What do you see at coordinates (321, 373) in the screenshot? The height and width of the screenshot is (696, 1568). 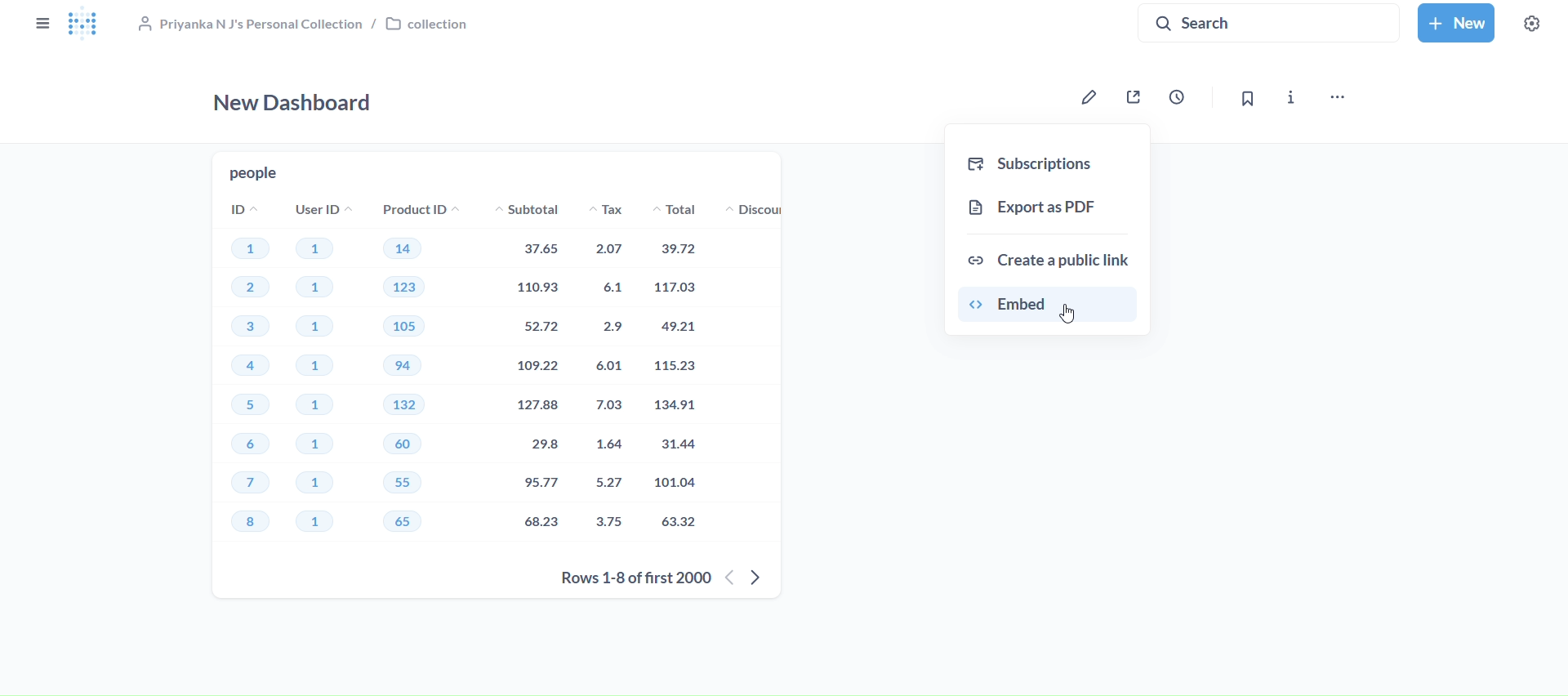 I see `User ID's` at bounding box center [321, 373].